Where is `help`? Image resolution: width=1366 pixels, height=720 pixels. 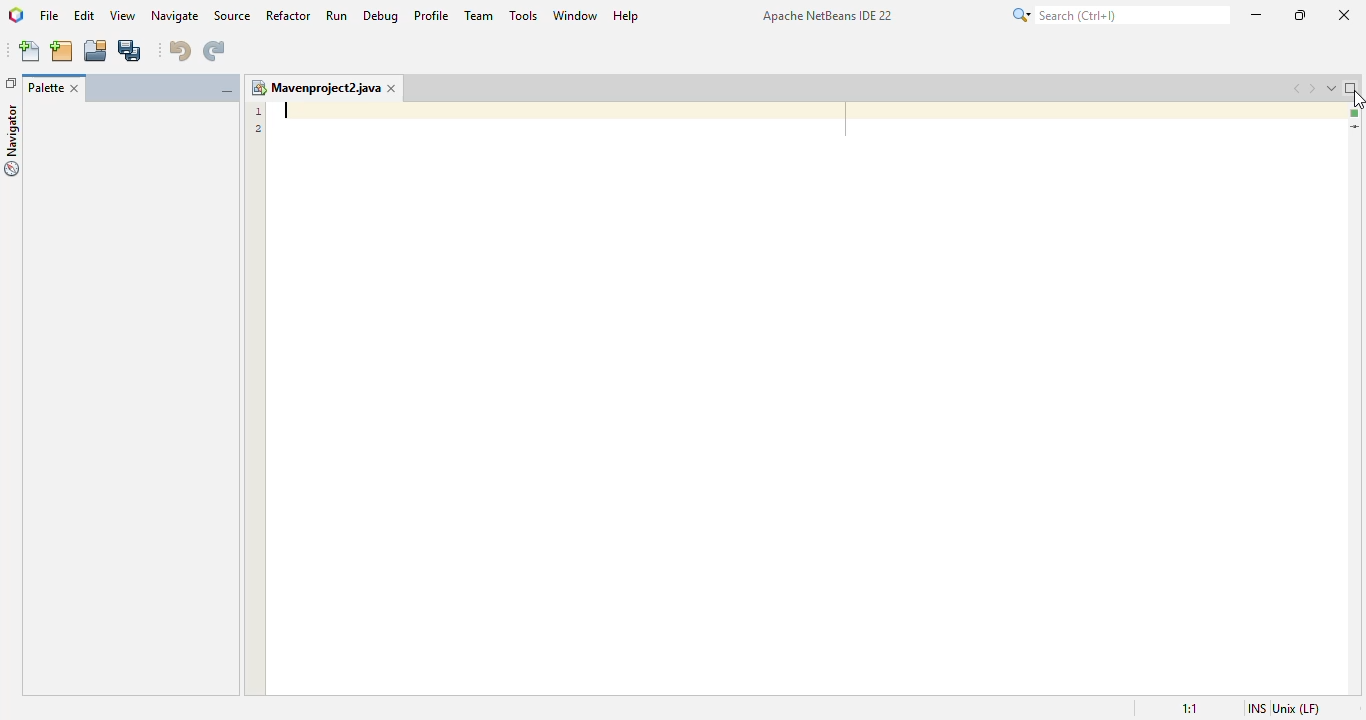 help is located at coordinates (627, 16).